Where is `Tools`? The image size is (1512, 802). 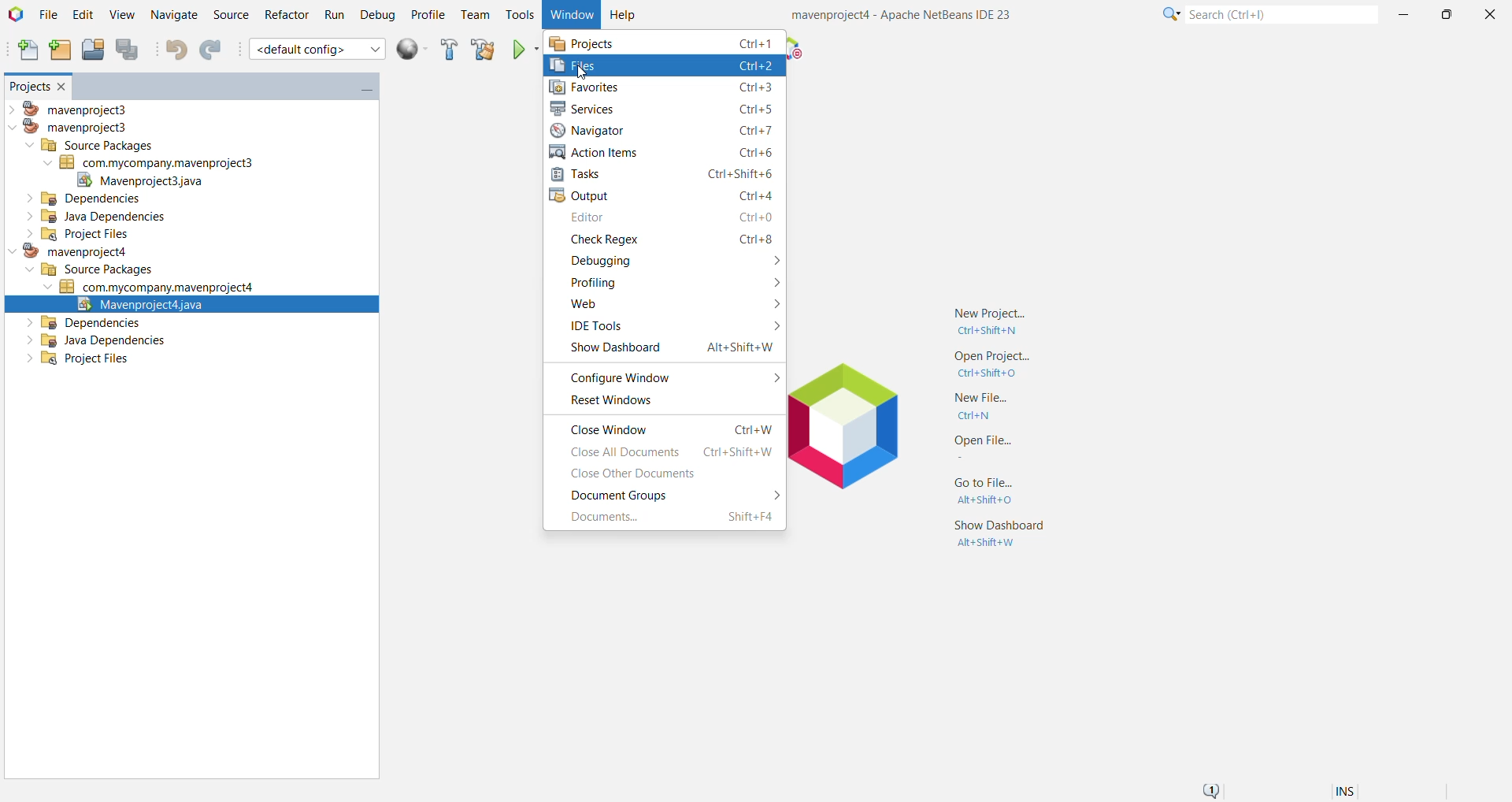
Tools is located at coordinates (520, 13).